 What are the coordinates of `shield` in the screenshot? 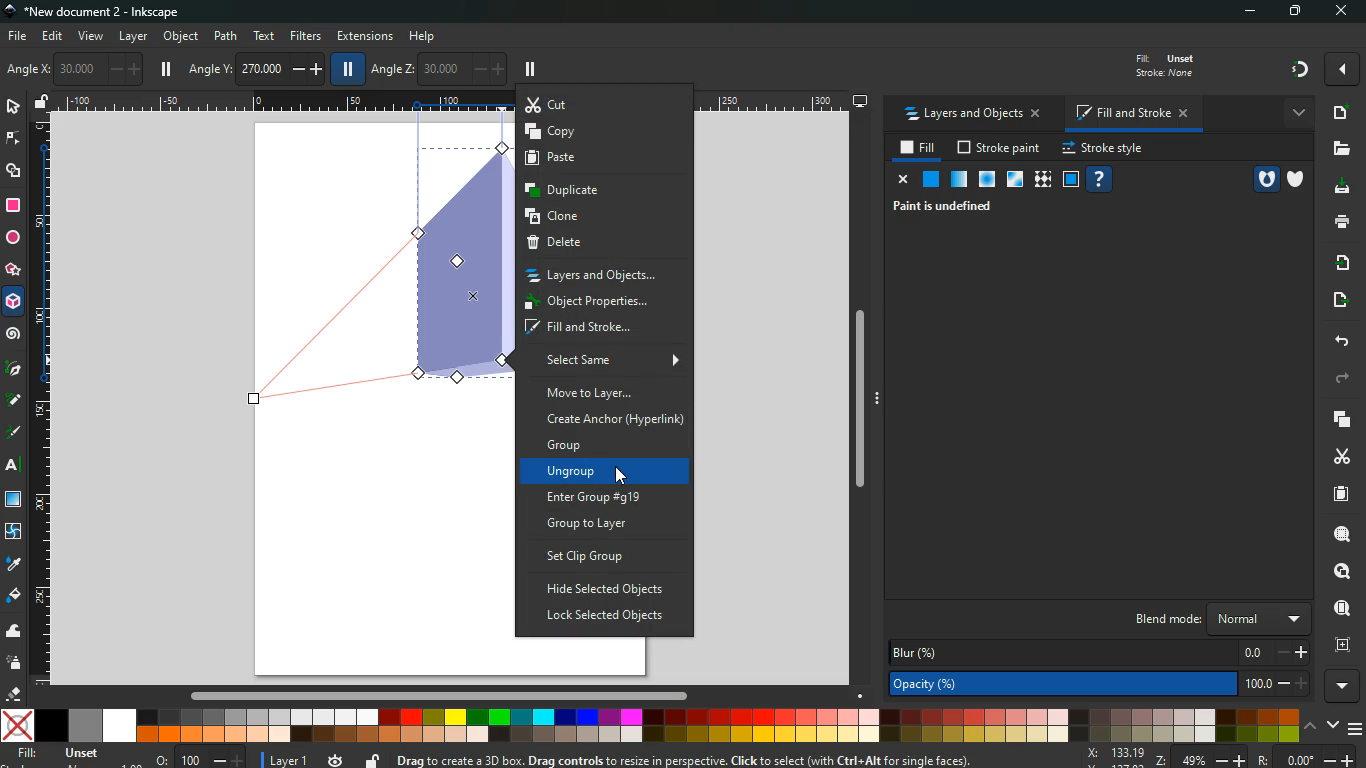 It's located at (1299, 180).